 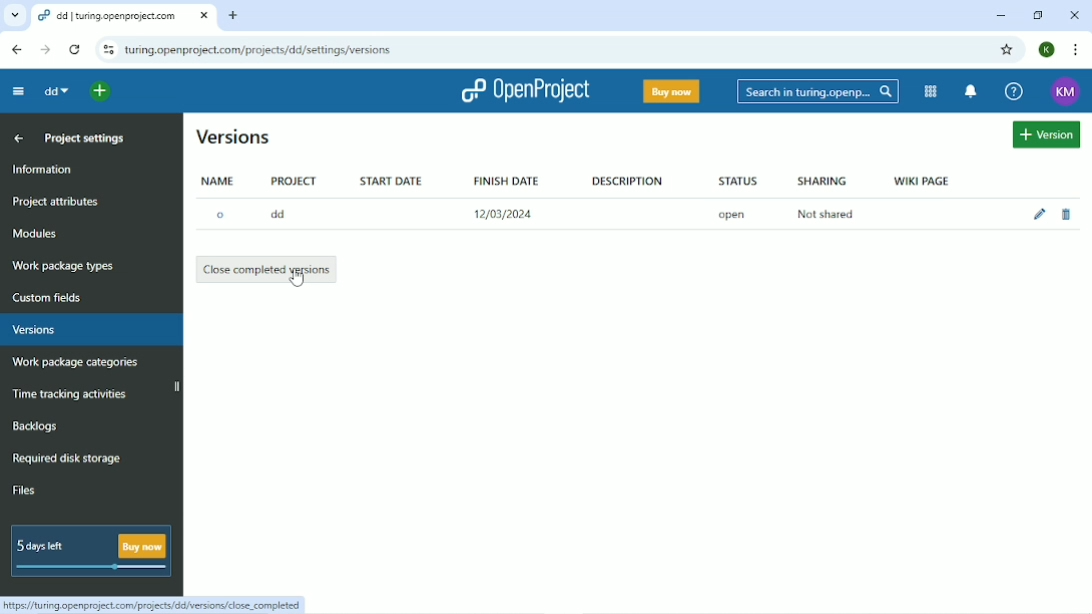 I want to click on Edit, so click(x=1040, y=213).